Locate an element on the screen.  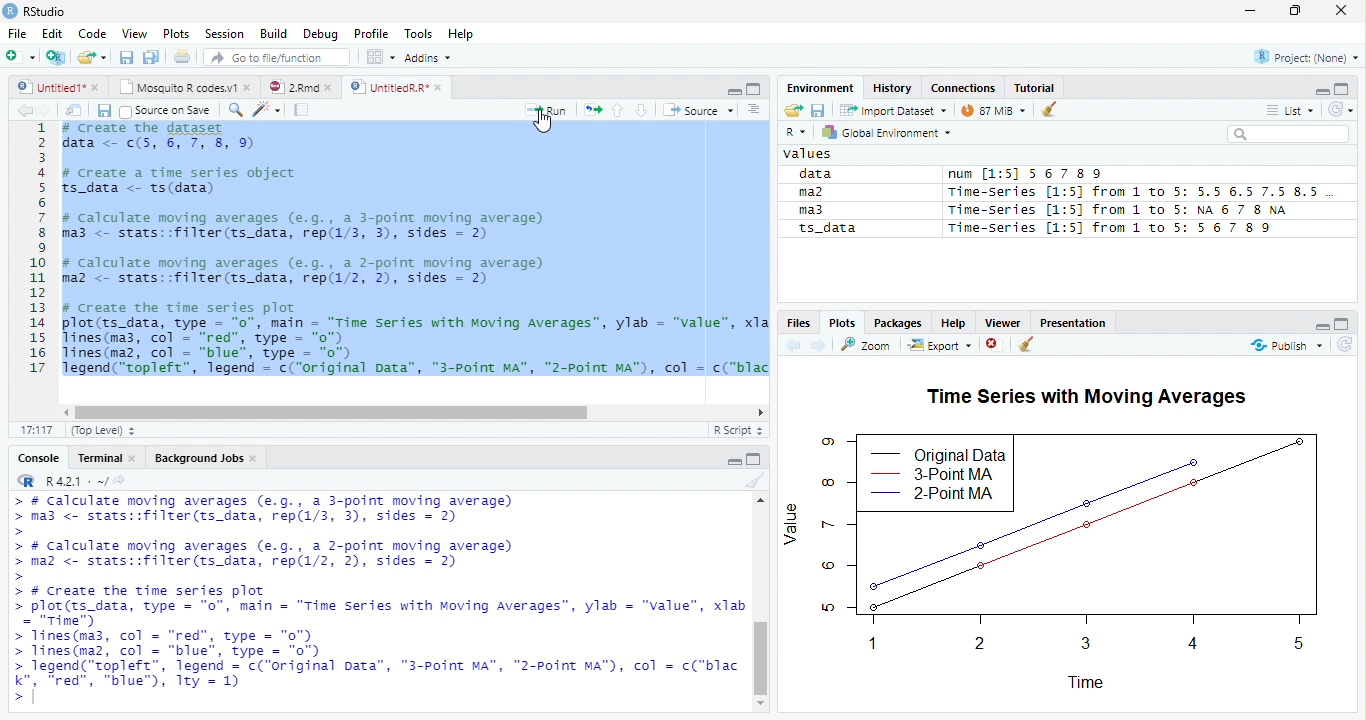
save is located at coordinates (103, 111).